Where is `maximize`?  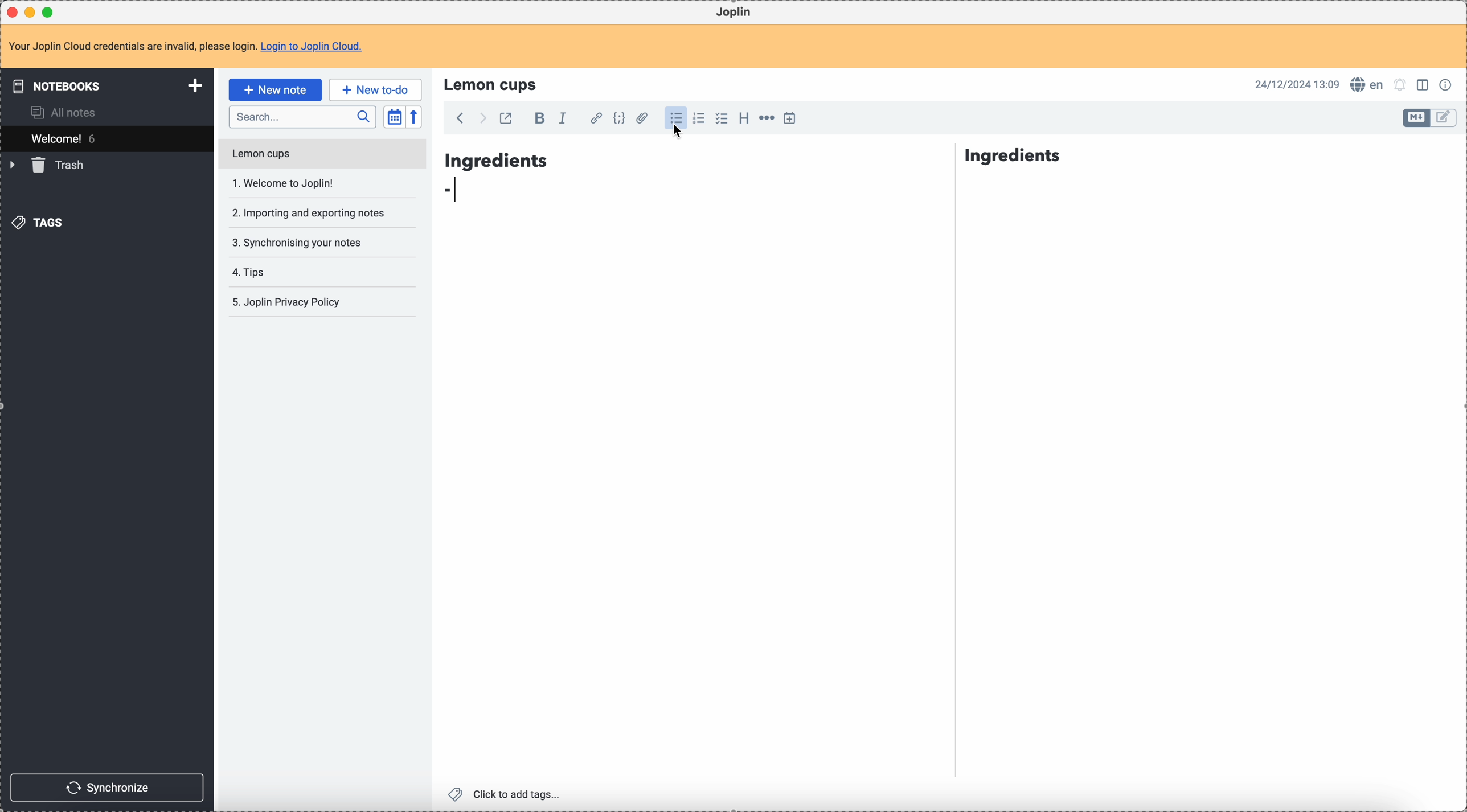 maximize is located at coordinates (51, 11).